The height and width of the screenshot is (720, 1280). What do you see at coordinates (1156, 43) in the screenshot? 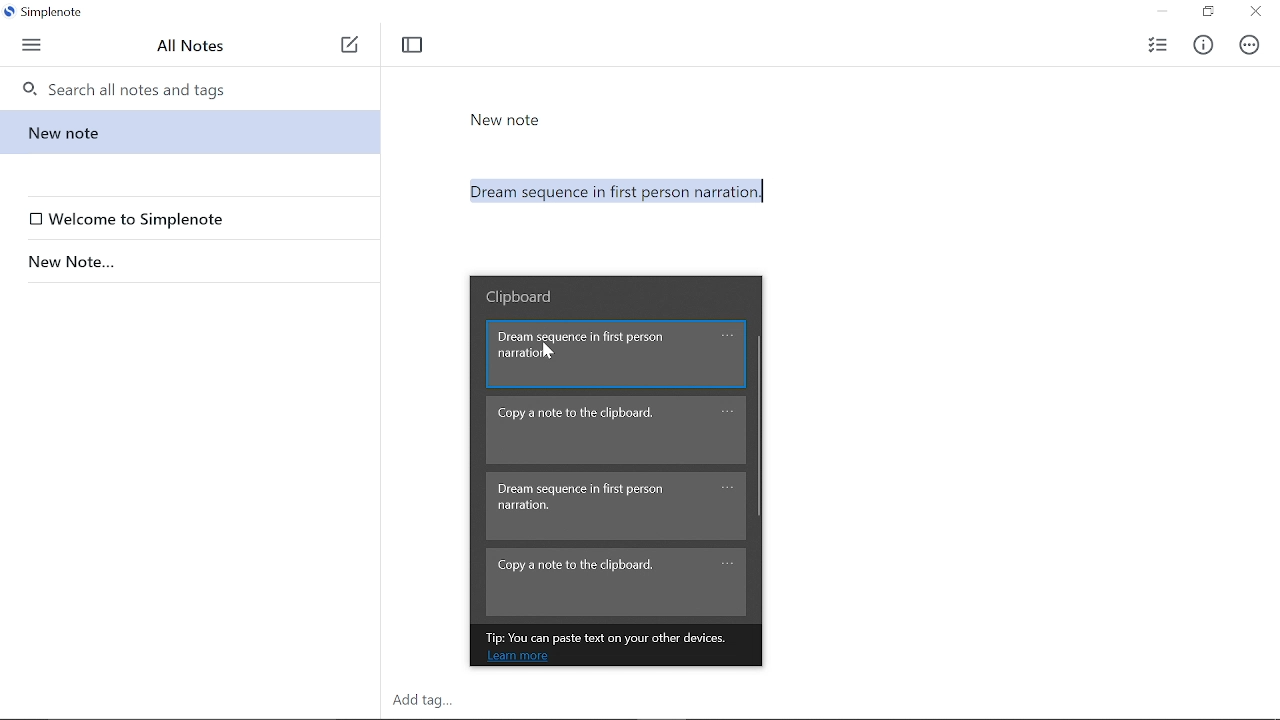
I see `Add checklist` at bounding box center [1156, 43].